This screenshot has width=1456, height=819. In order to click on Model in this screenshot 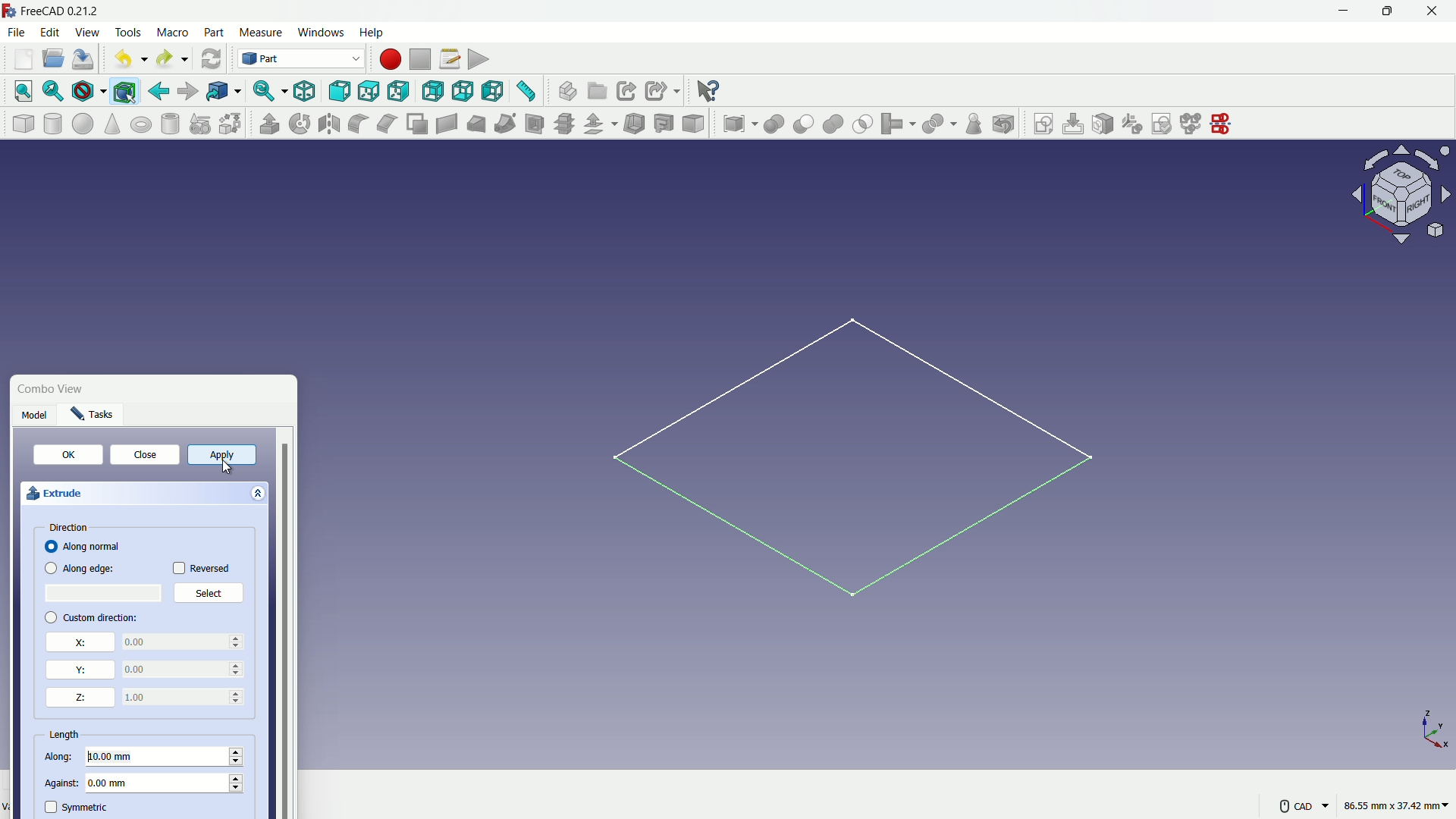, I will do `click(36, 413)`.